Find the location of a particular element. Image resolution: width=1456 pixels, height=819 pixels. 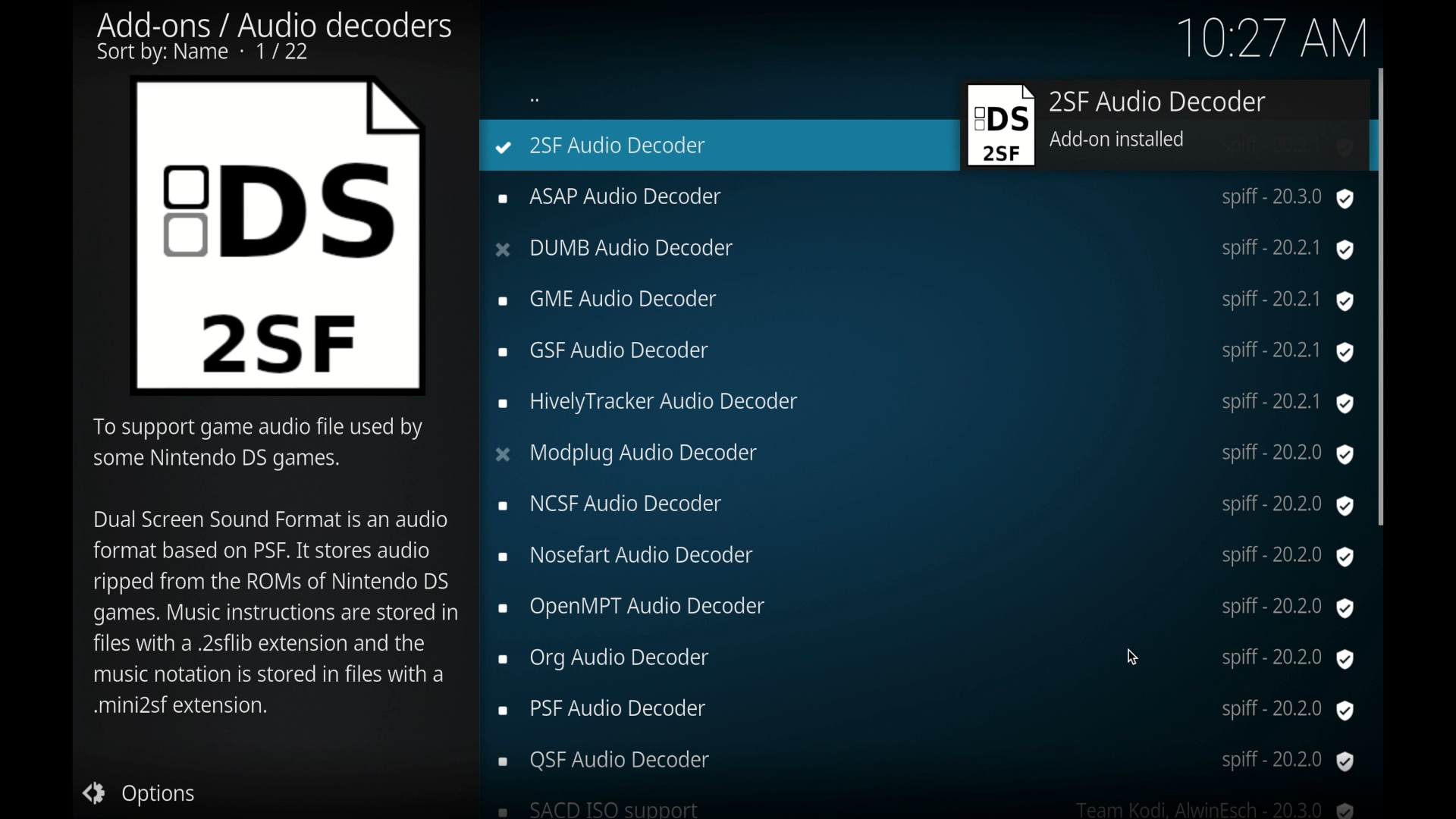

options is located at coordinates (140, 792).